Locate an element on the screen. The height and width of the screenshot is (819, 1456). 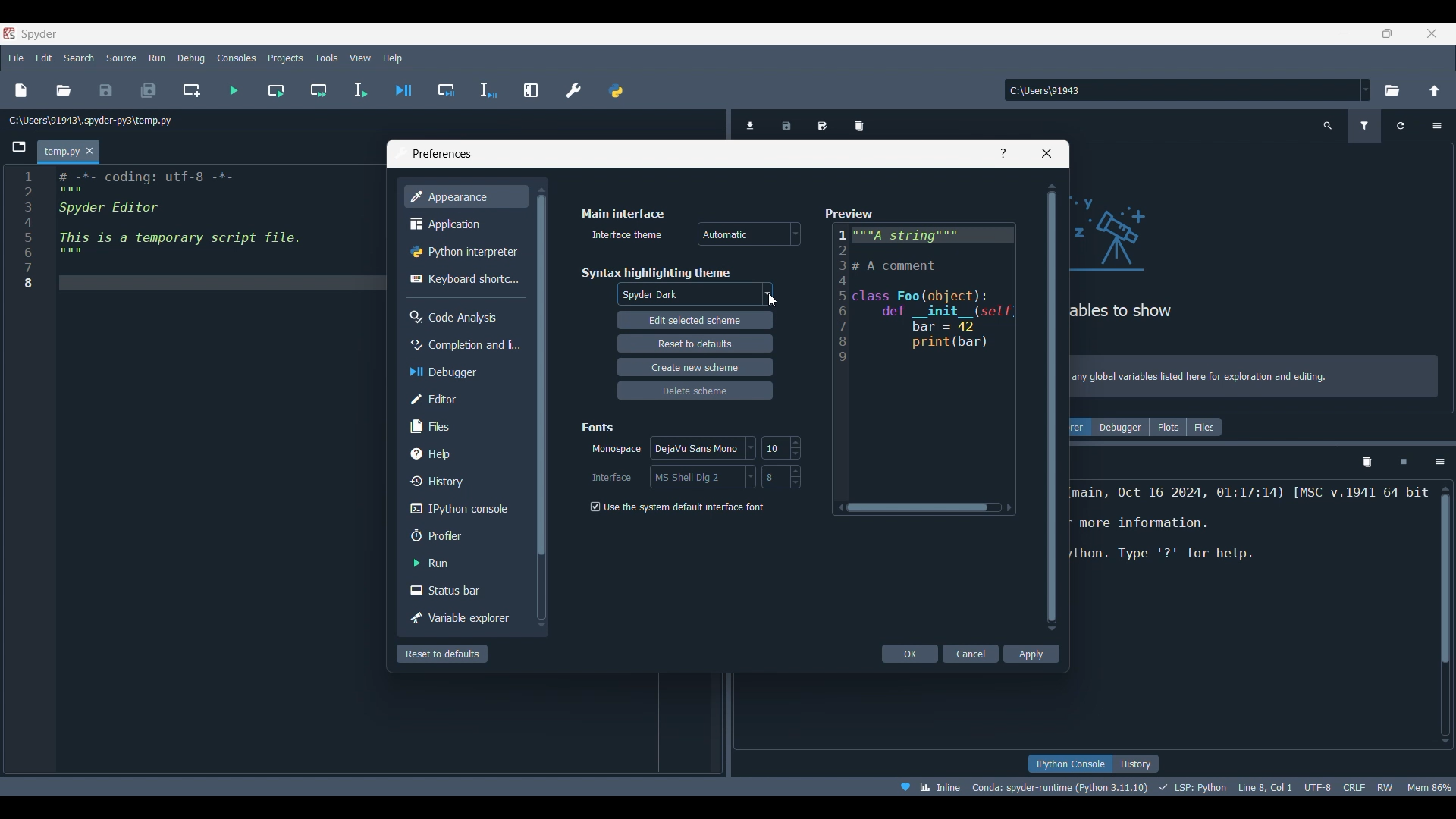
Save all files is located at coordinates (148, 90).